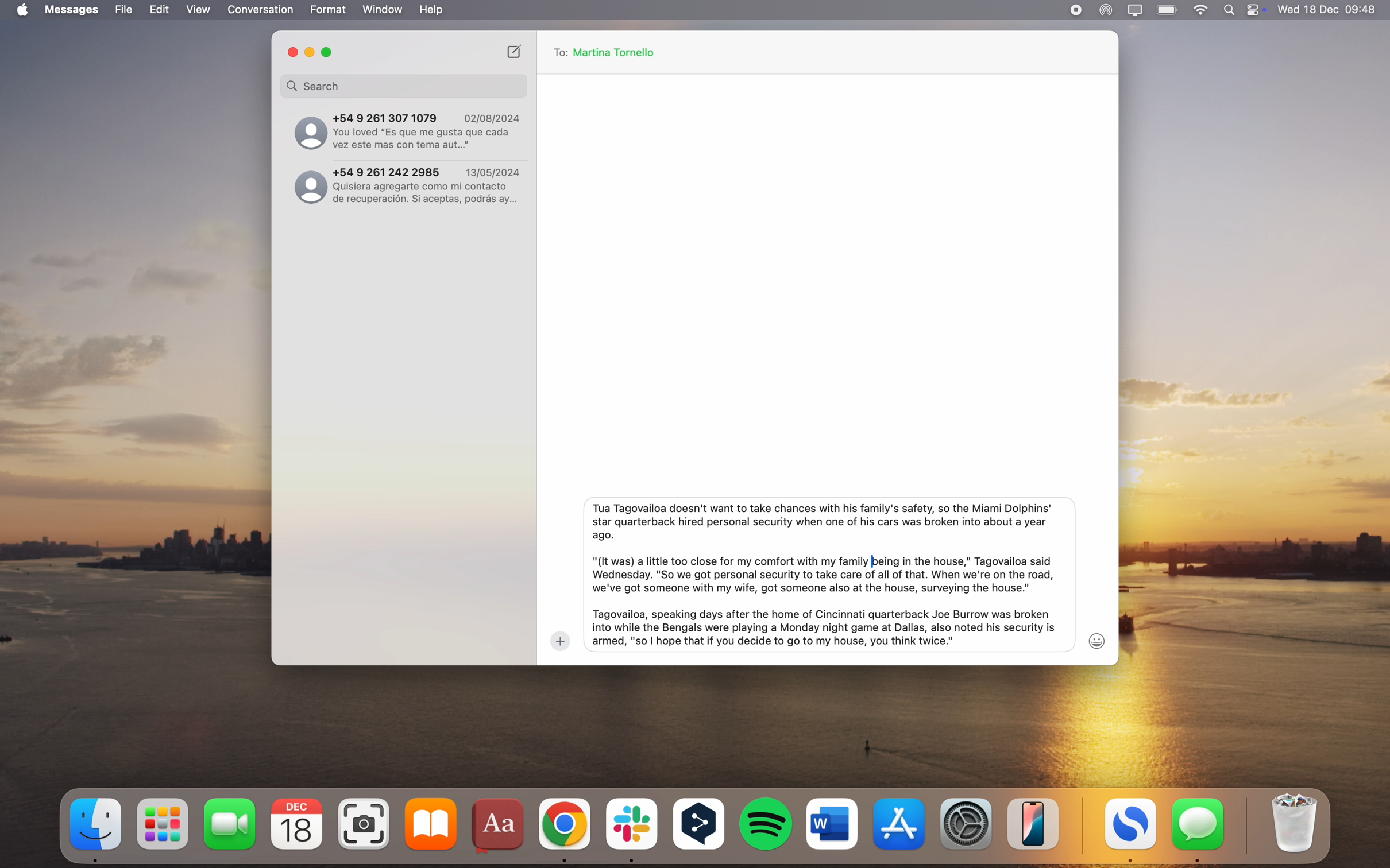 Image resolution: width=1390 pixels, height=868 pixels. What do you see at coordinates (515, 51) in the screenshot?
I see `new message` at bounding box center [515, 51].